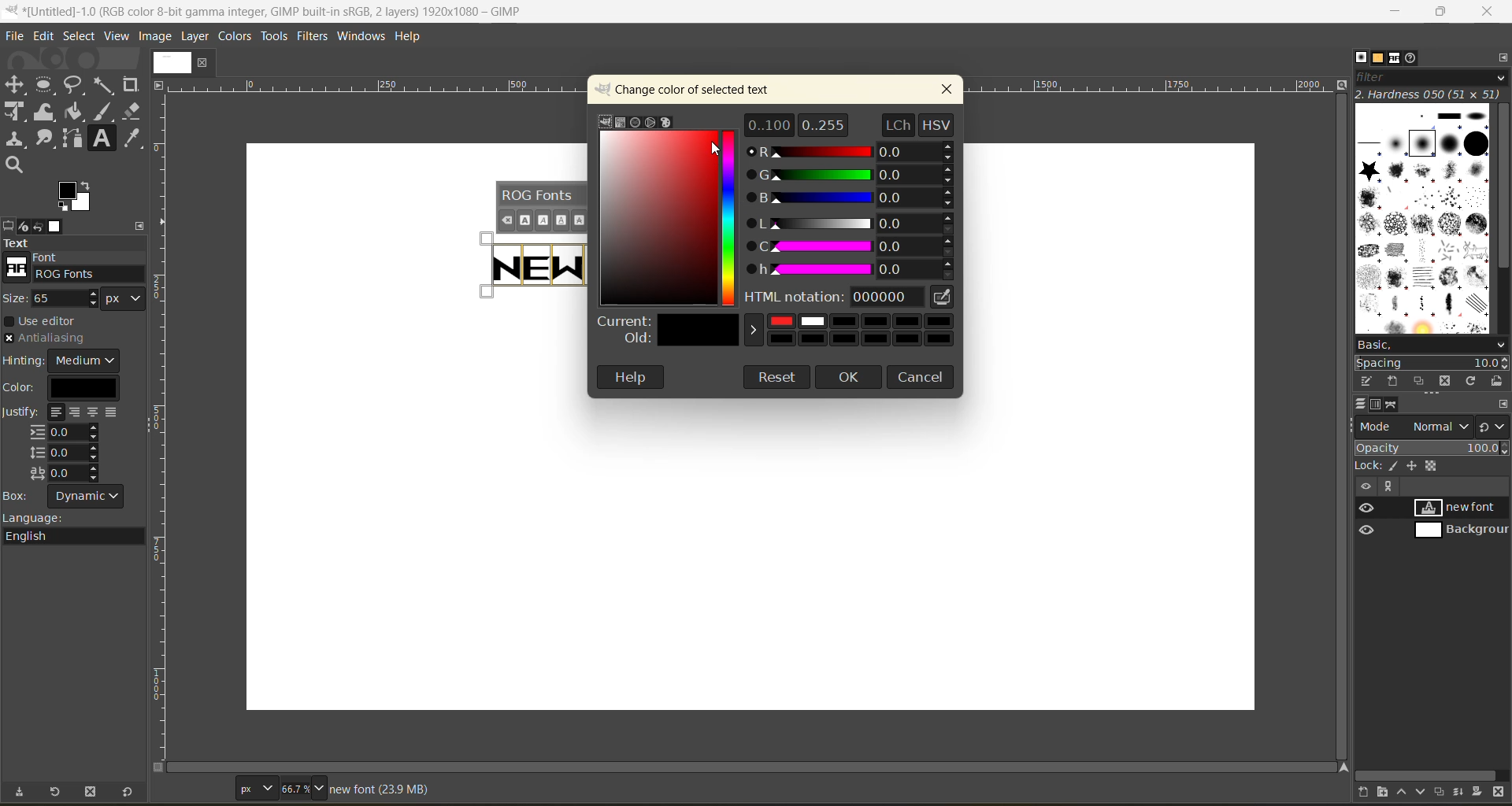 Image resolution: width=1512 pixels, height=806 pixels. Describe the element at coordinates (1432, 450) in the screenshot. I see `opacity` at that location.